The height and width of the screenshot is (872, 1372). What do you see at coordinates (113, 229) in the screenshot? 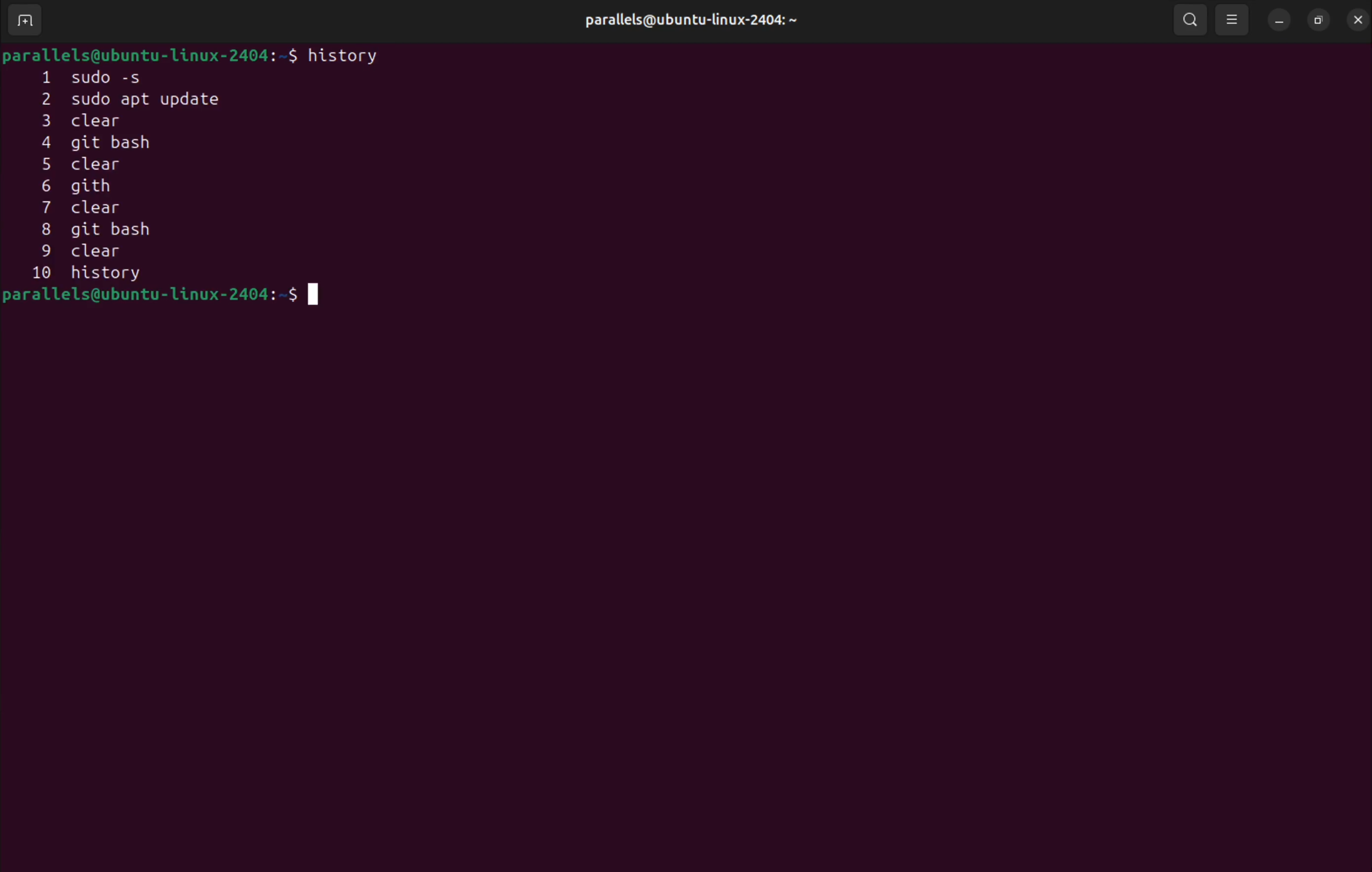
I see `8.git bash` at bounding box center [113, 229].